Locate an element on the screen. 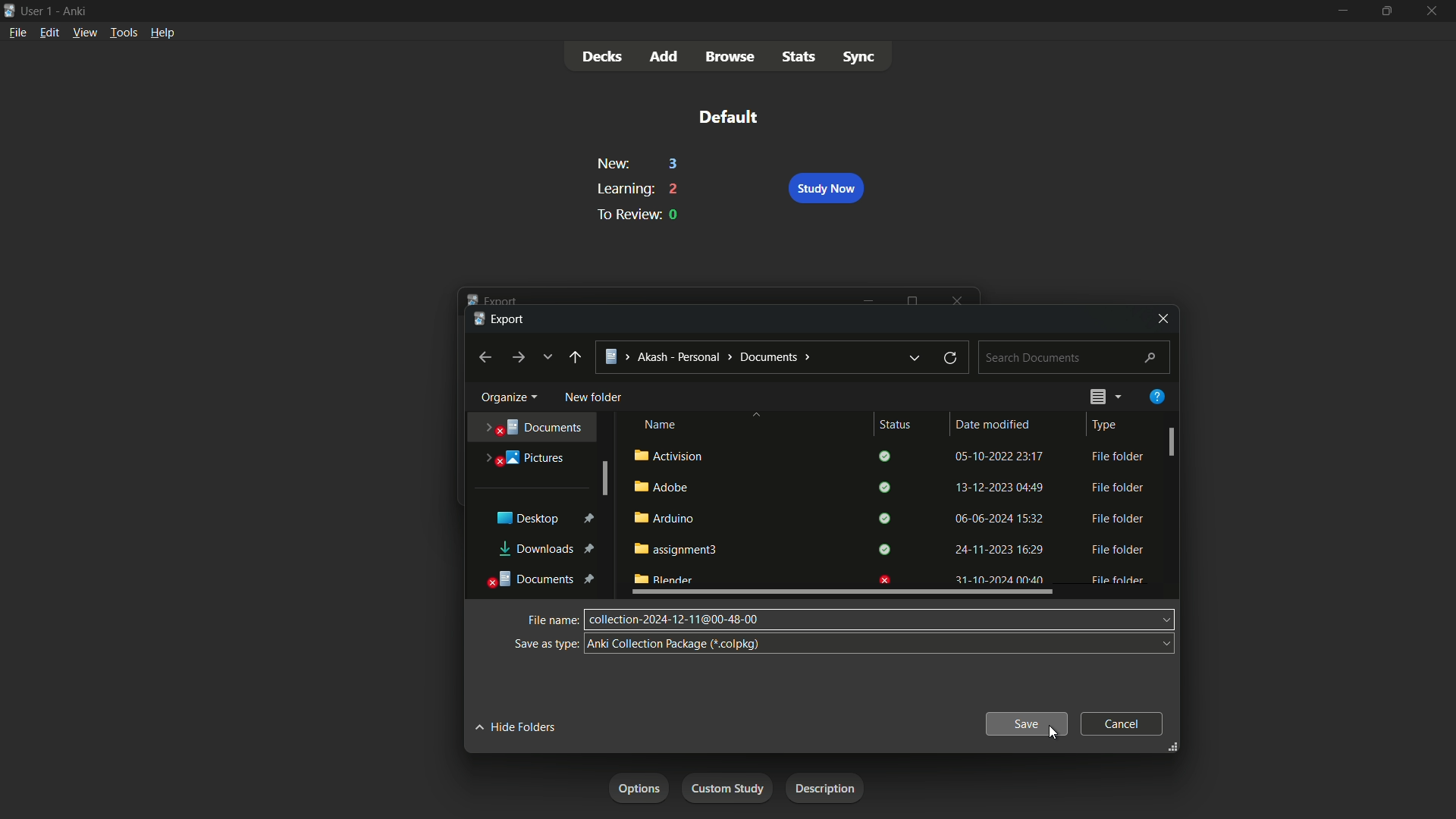 This screenshot has height=819, width=1456. edit menu is located at coordinates (49, 33).